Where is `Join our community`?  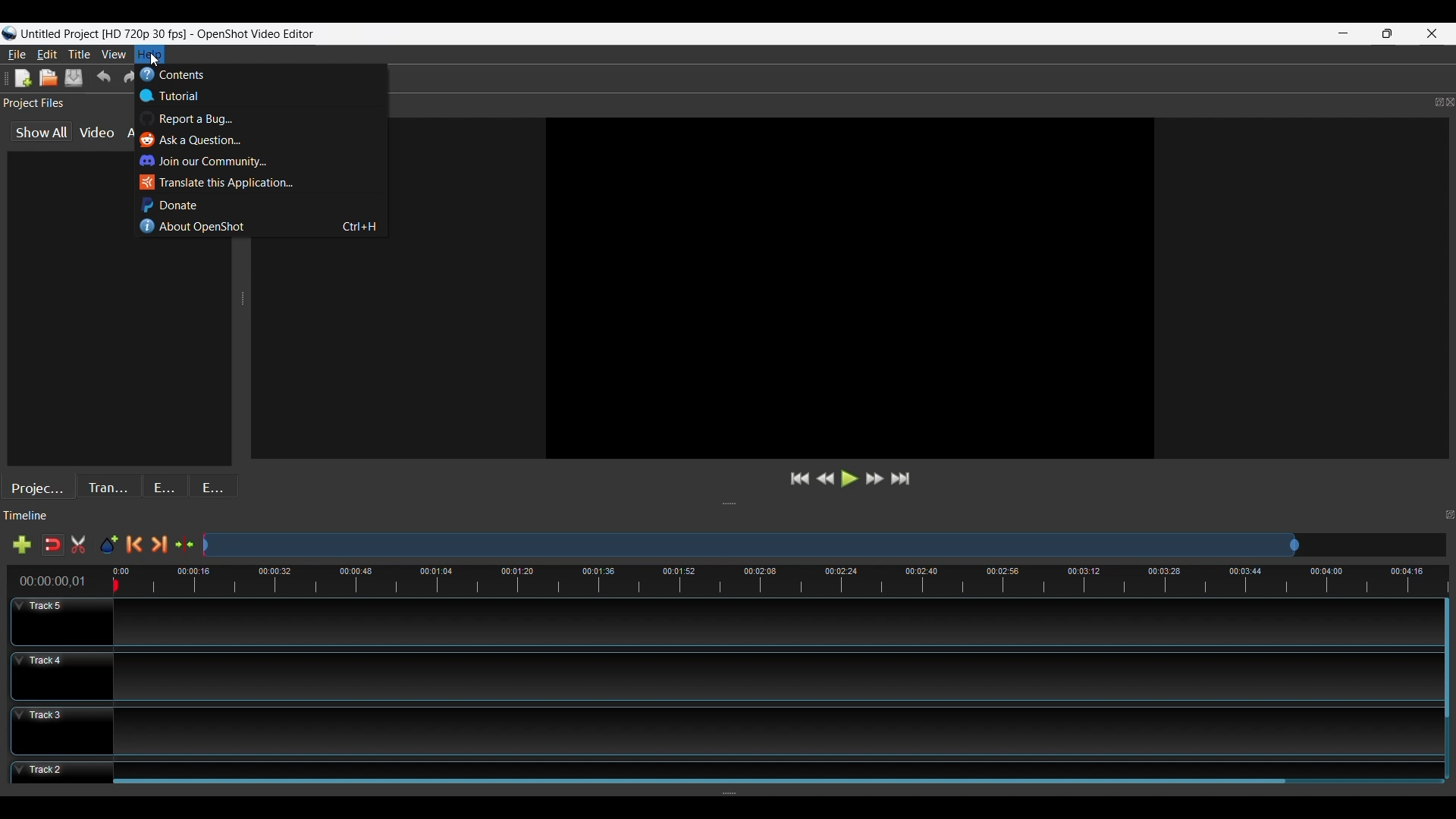 Join our community is located at coordinates (212, 162).